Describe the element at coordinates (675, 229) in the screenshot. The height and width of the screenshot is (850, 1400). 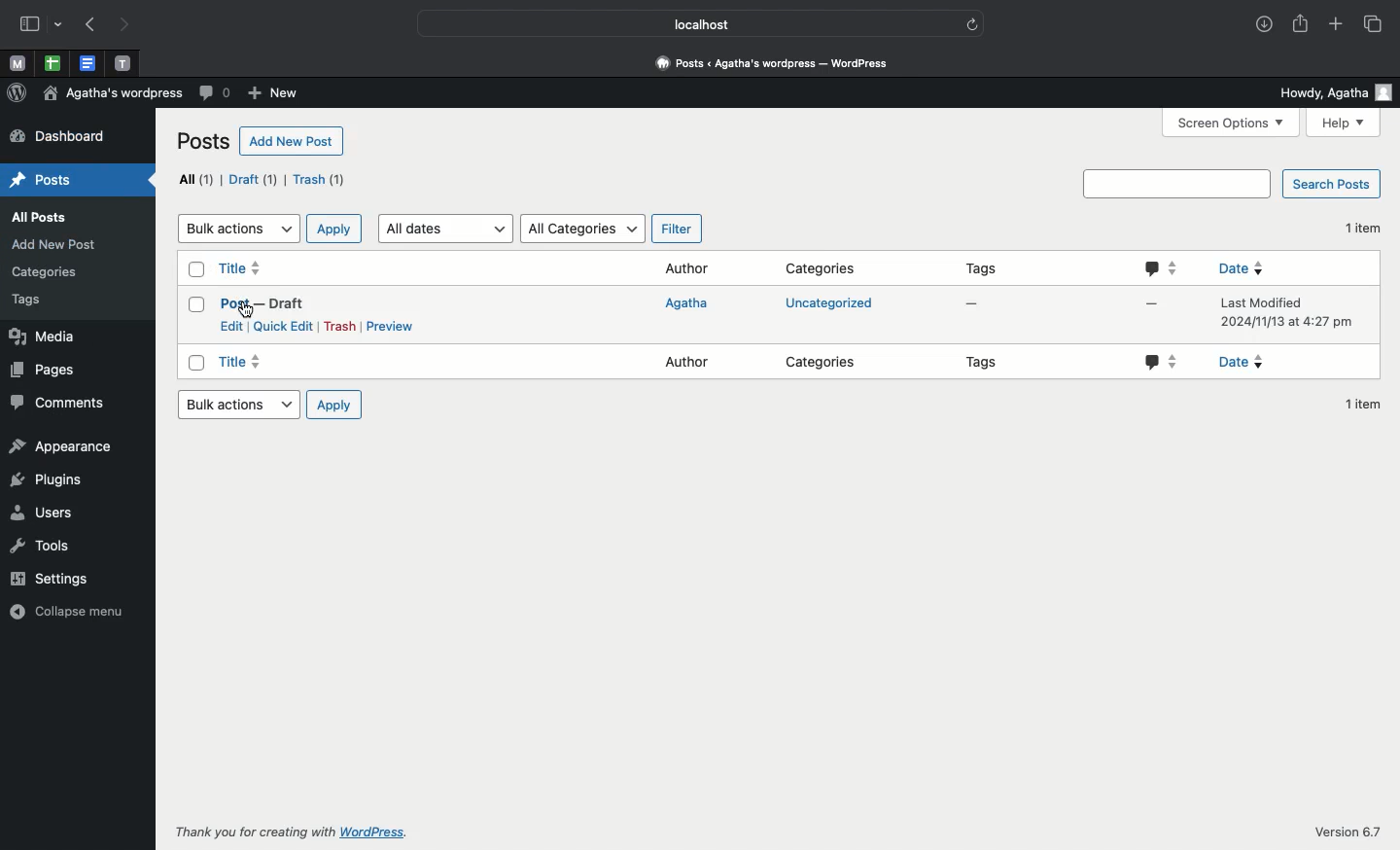
I see `Filter` at that location.